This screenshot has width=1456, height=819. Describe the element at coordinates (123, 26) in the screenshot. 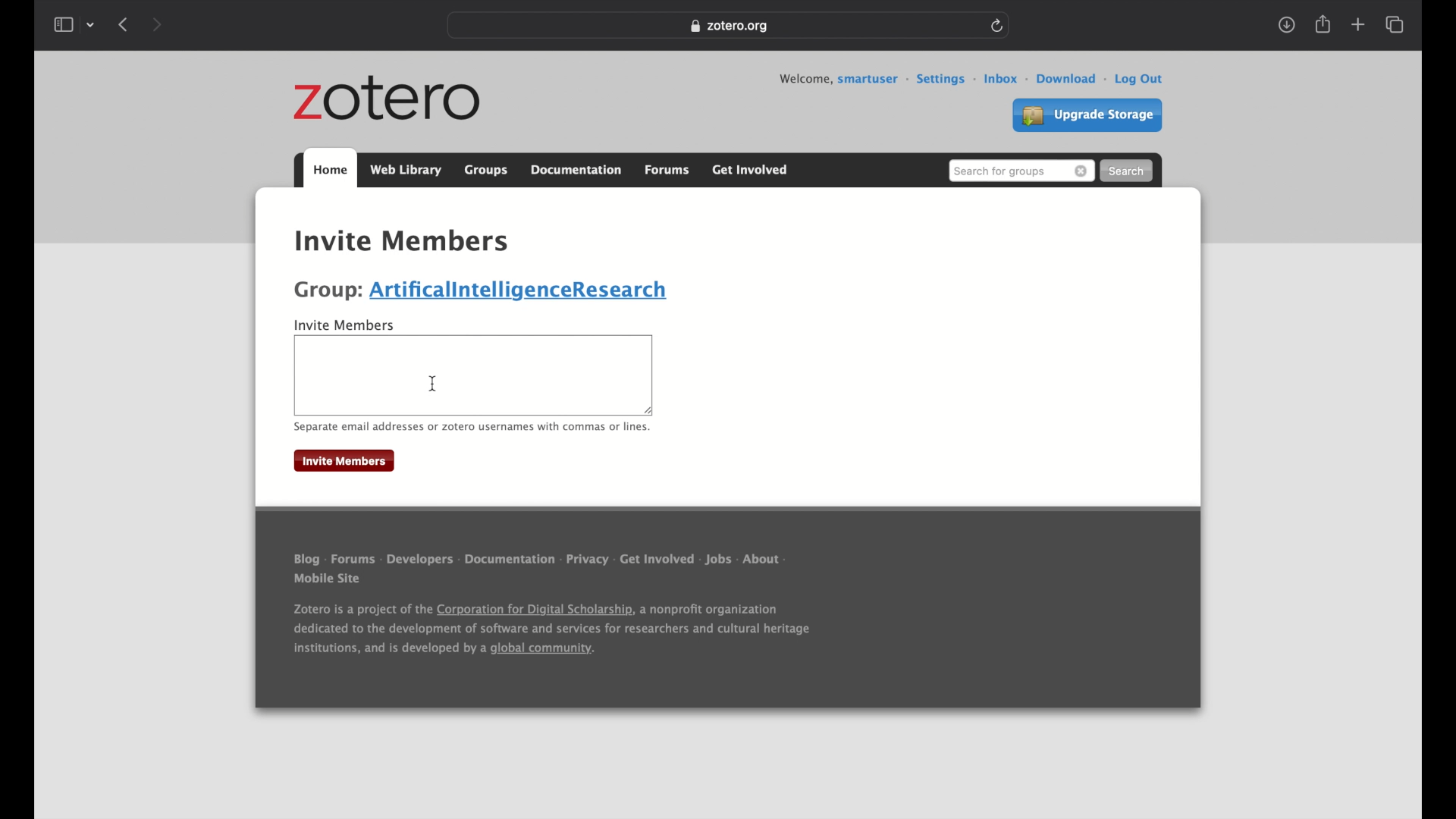

I see `previous` at that location.